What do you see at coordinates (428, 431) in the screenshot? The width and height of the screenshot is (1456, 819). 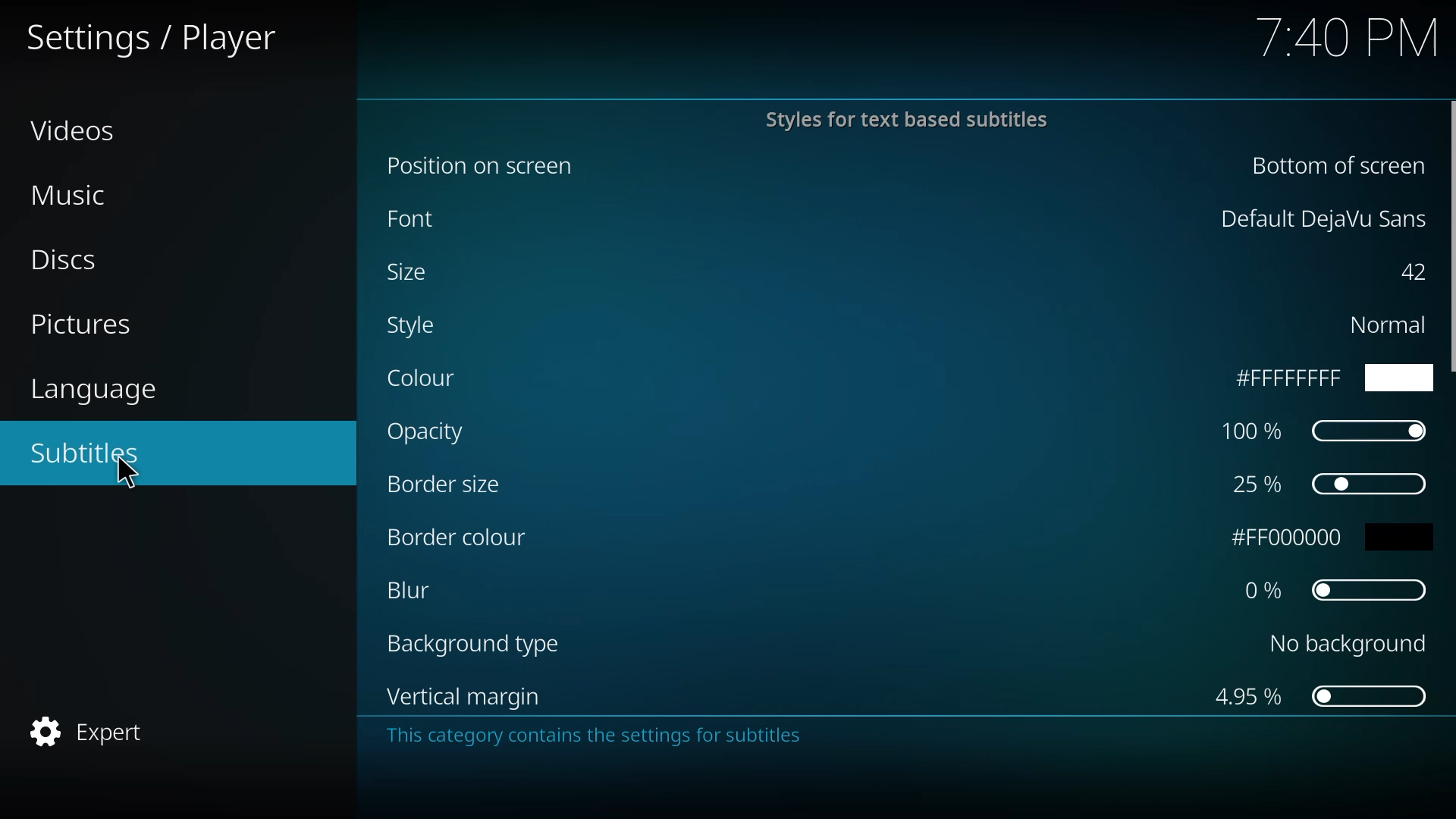 I see `opacity` at bounding box center [428, 431].